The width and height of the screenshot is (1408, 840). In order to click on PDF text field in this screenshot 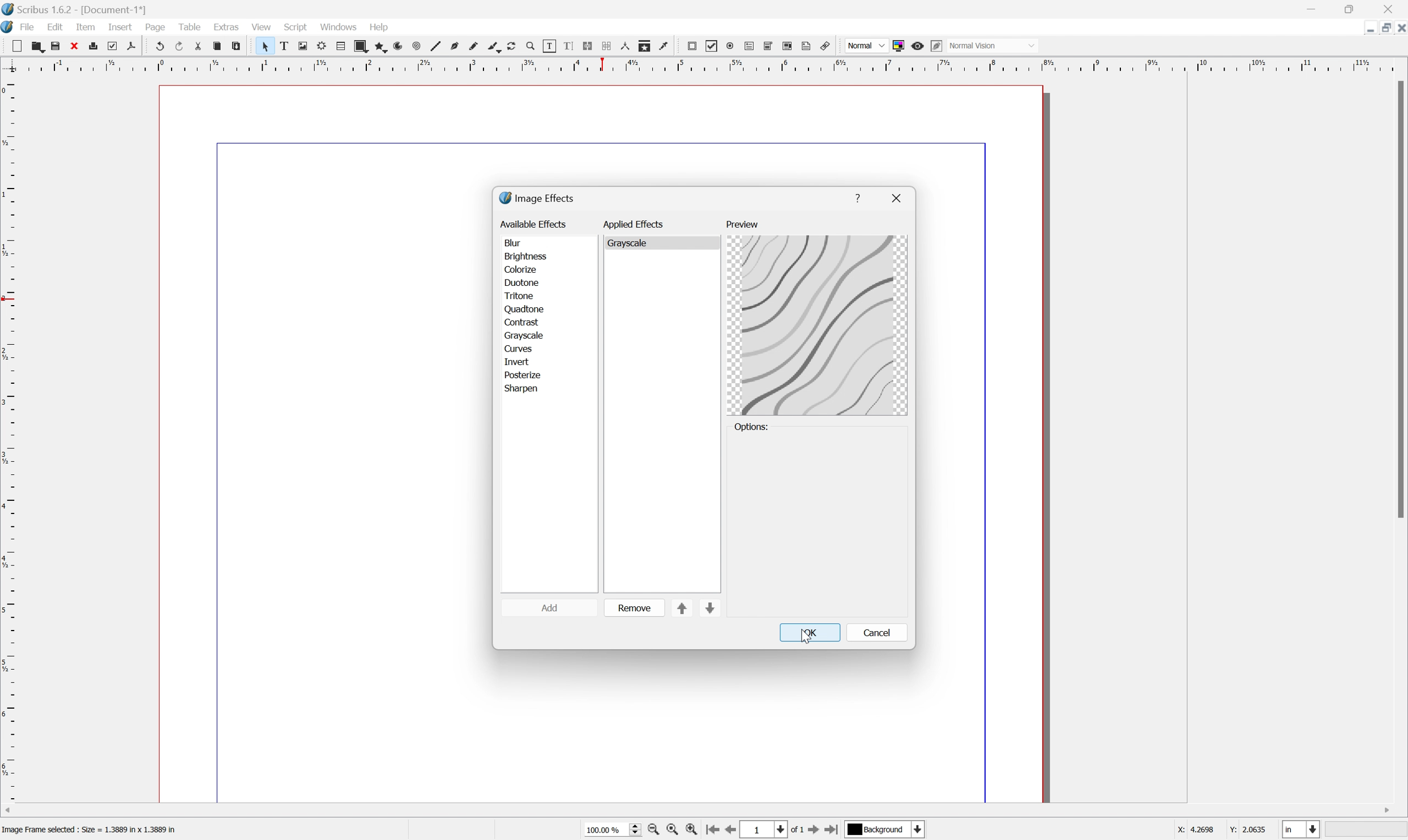, I will do `click(751, 44)`.